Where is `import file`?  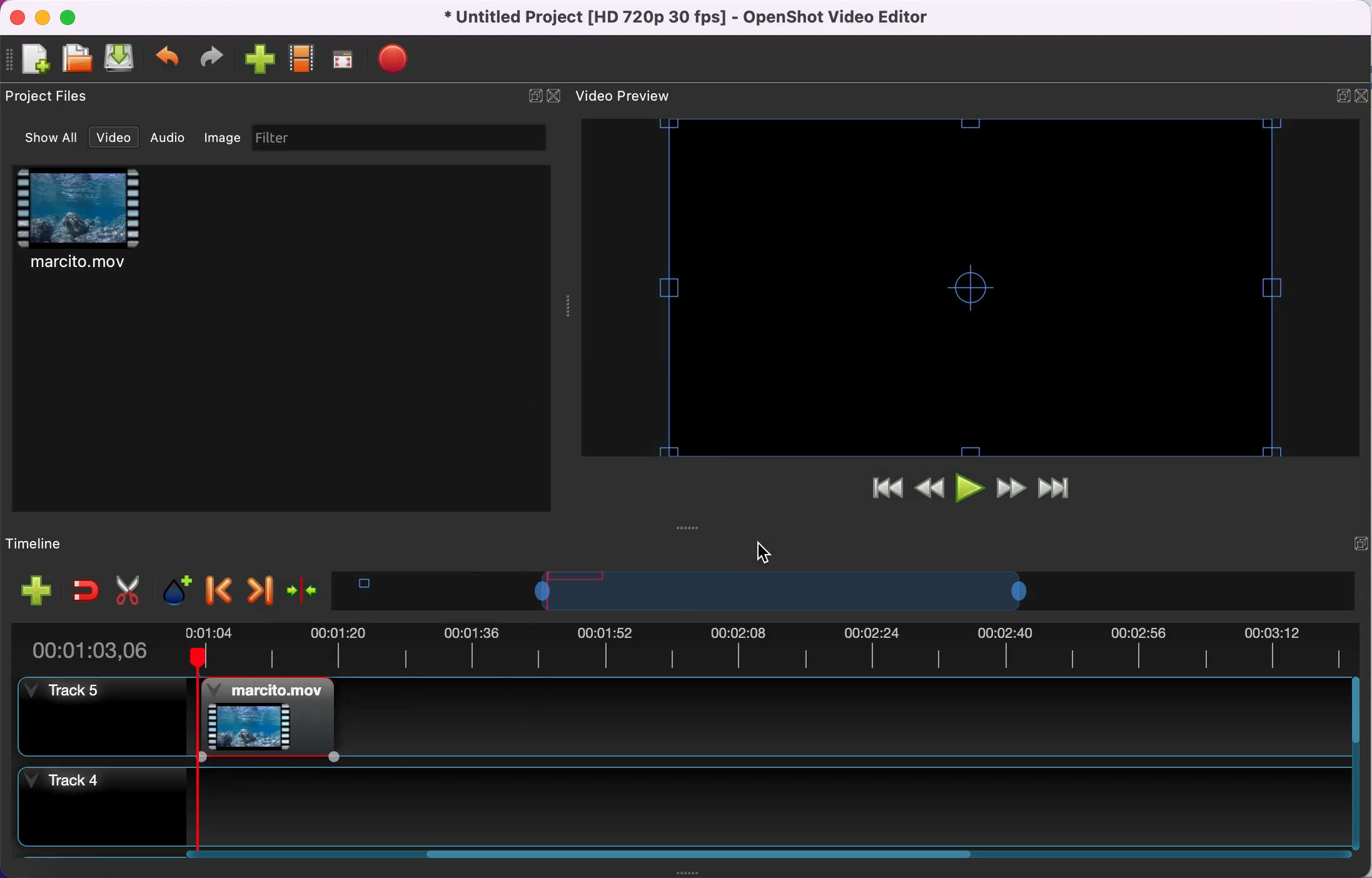 import file is located at coordinates (259, 59).